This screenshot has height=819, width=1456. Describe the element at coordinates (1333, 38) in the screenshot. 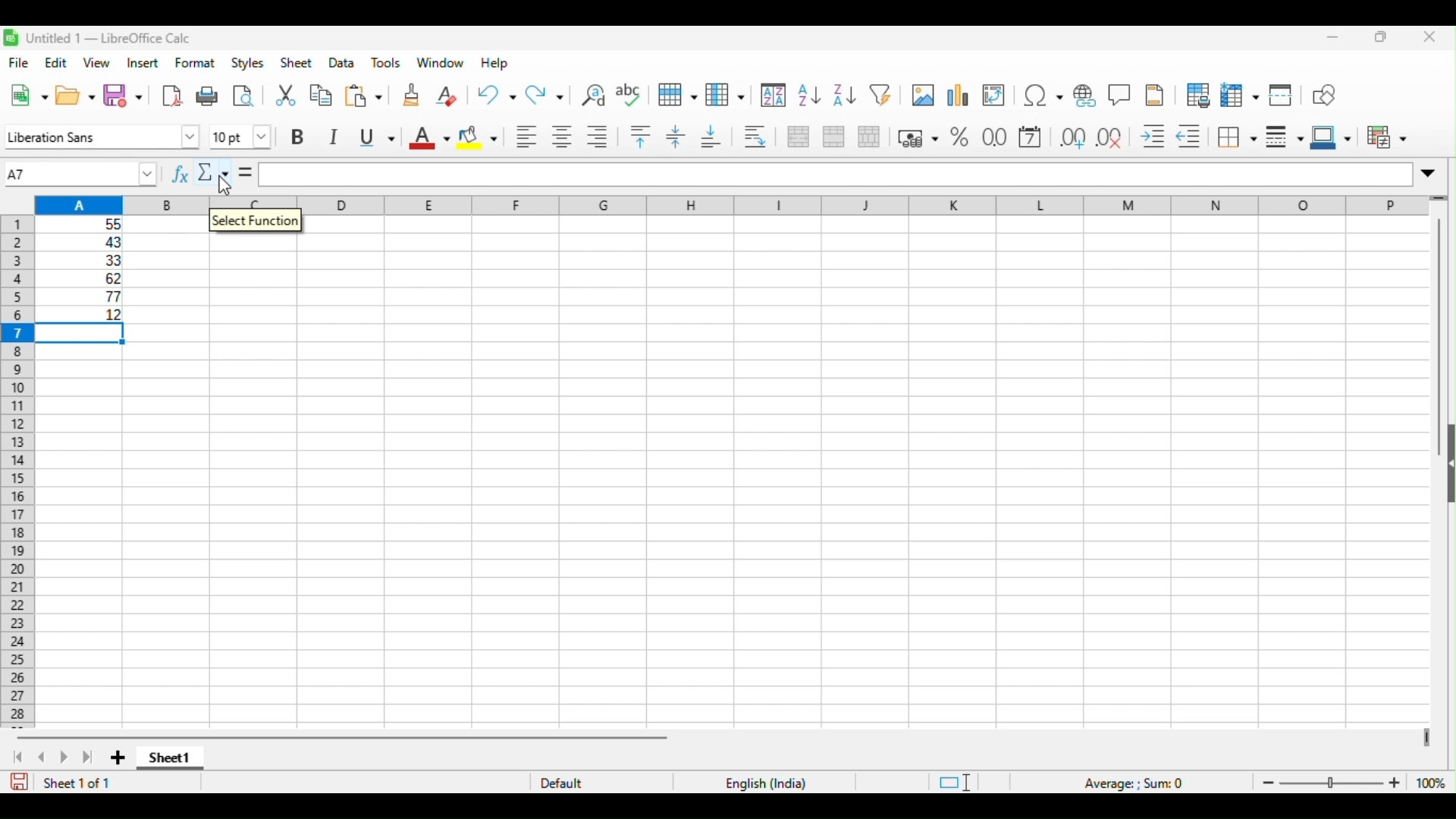

I see `minimize` at that location.